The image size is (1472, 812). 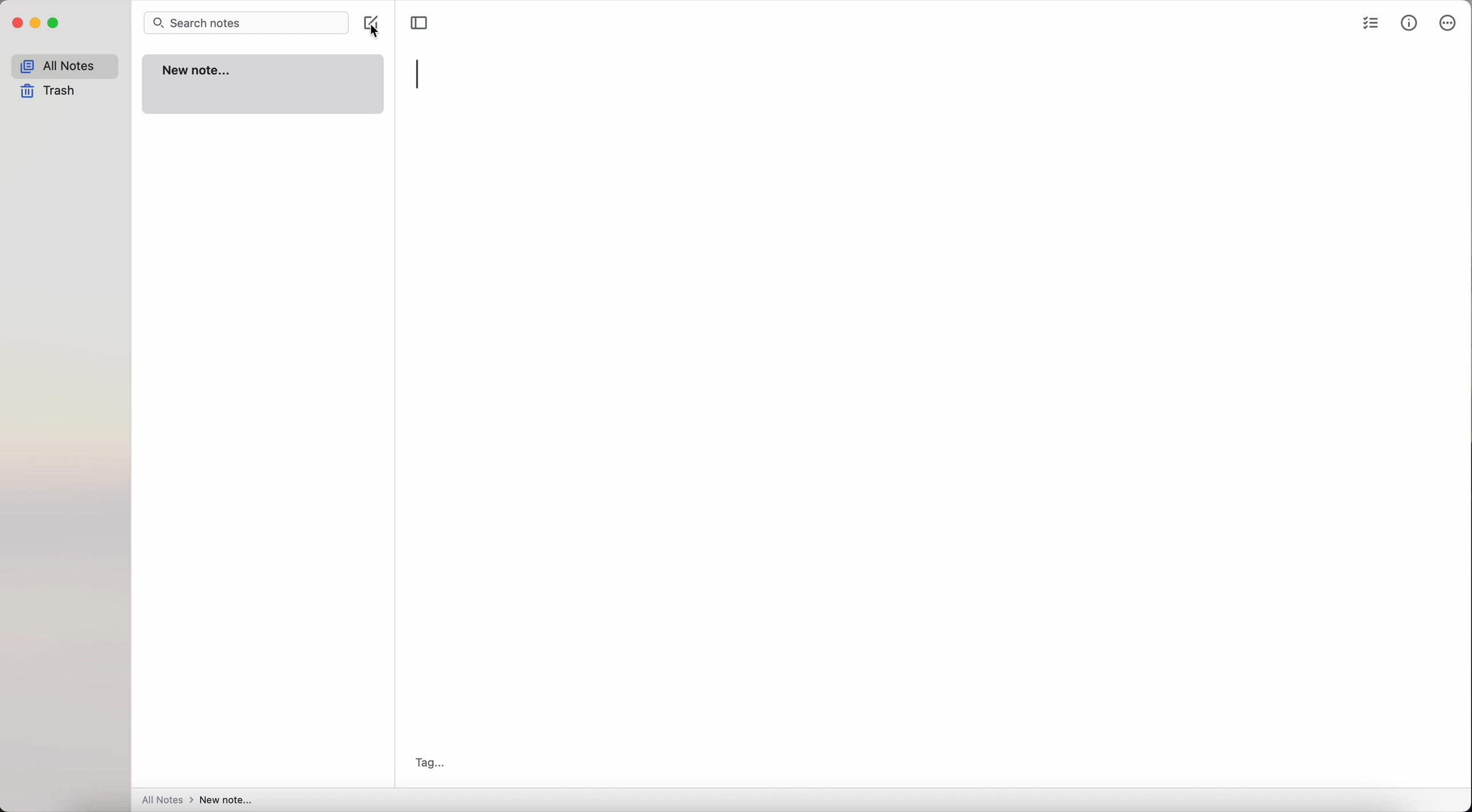 I want to click on minimize app, so click(x=36, y=23).